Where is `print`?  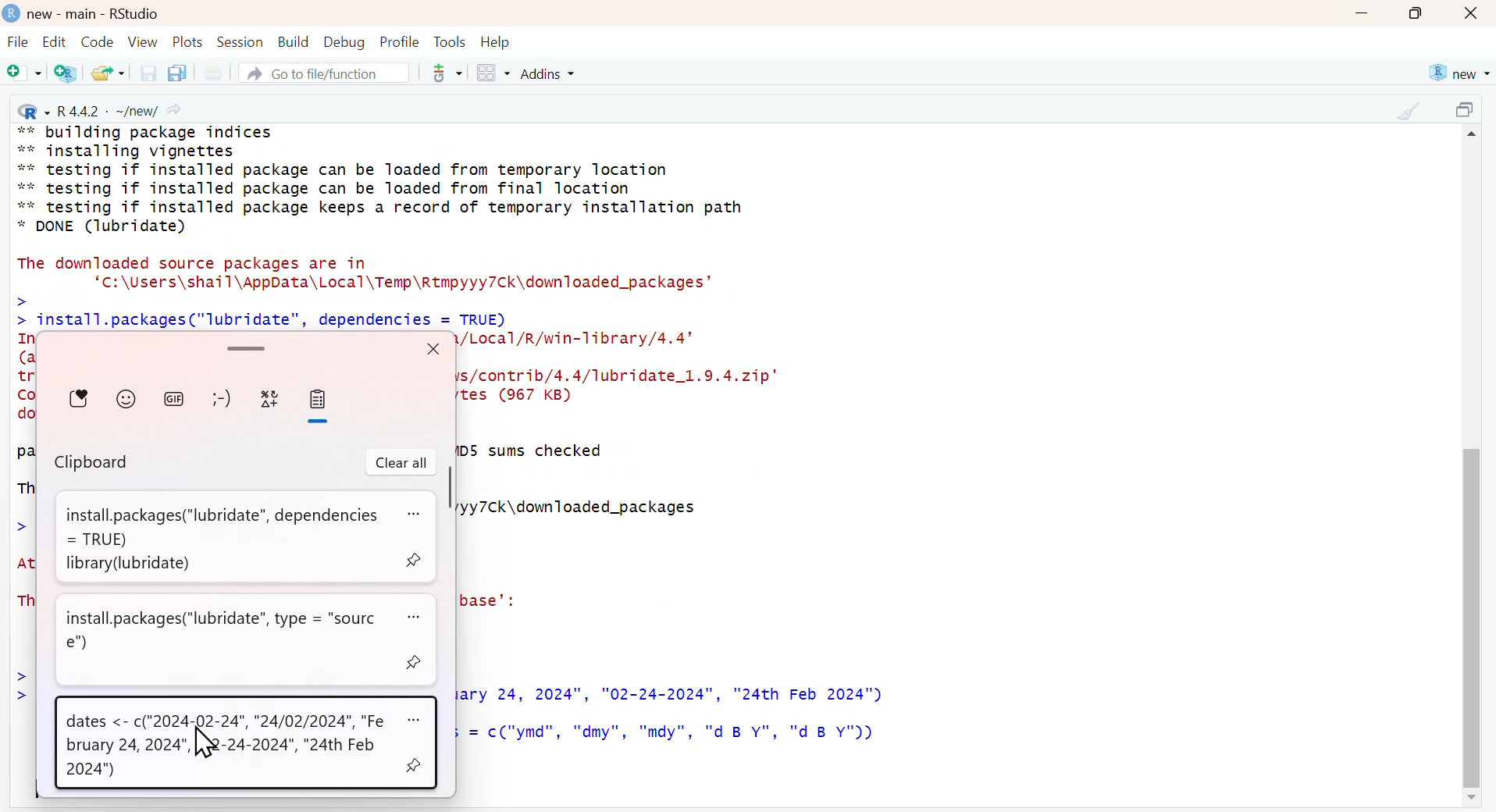
print is located at coordinates (212, 73).